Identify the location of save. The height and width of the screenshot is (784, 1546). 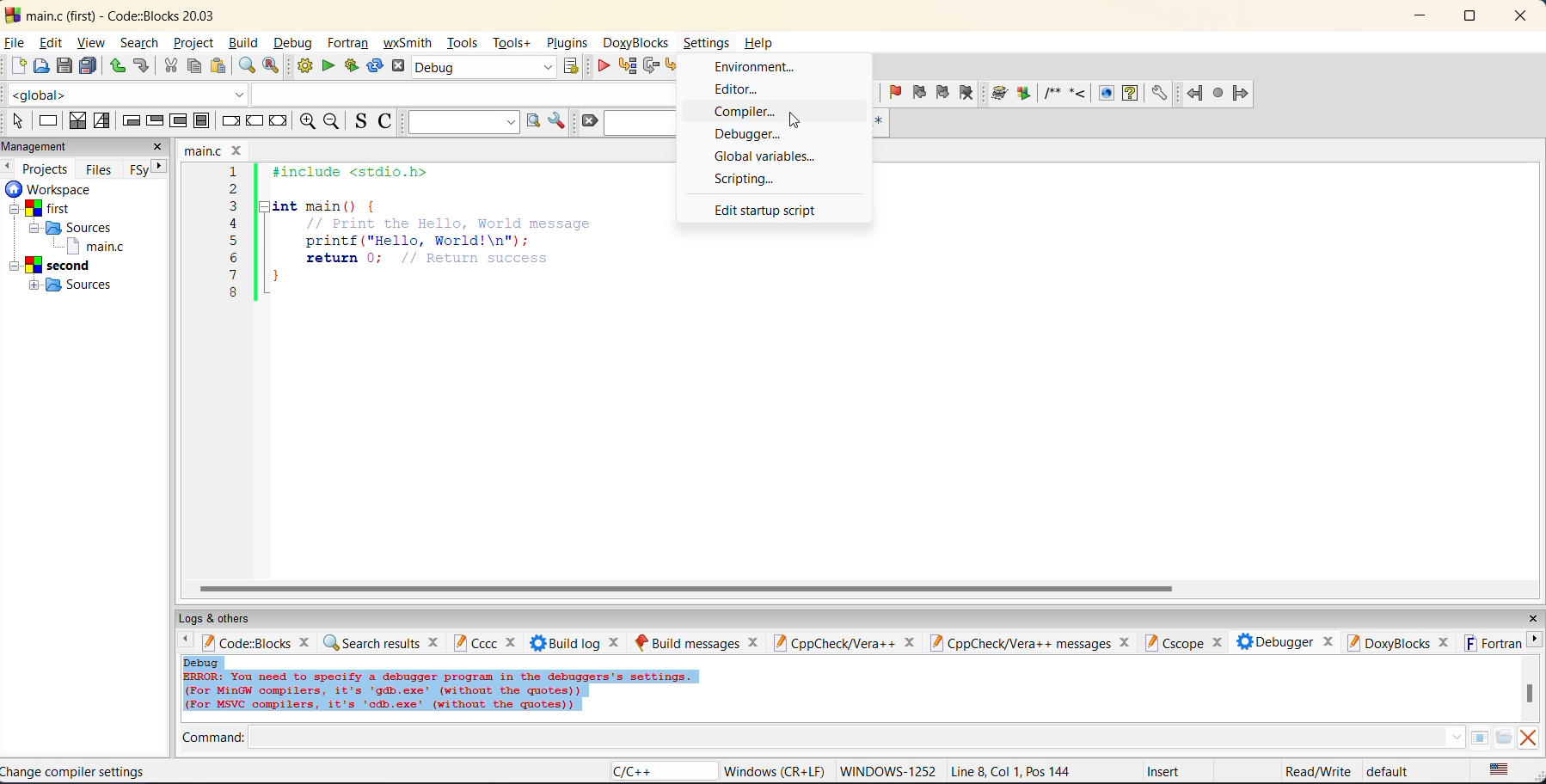
(64, 67).